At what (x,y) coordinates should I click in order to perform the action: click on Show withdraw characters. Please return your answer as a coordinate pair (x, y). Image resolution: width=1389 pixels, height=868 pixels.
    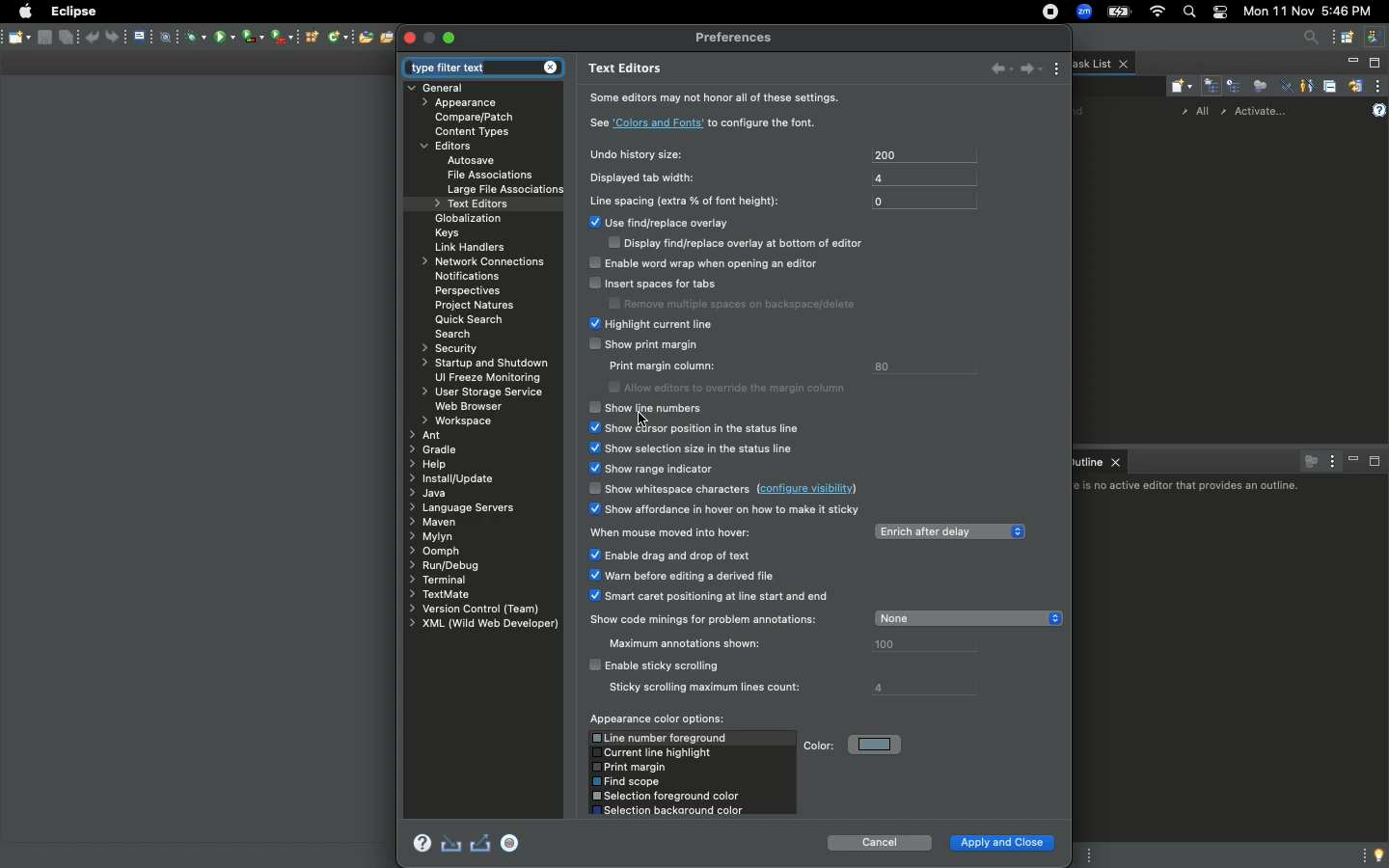
    Looking at the image, I should click on (730, 487).